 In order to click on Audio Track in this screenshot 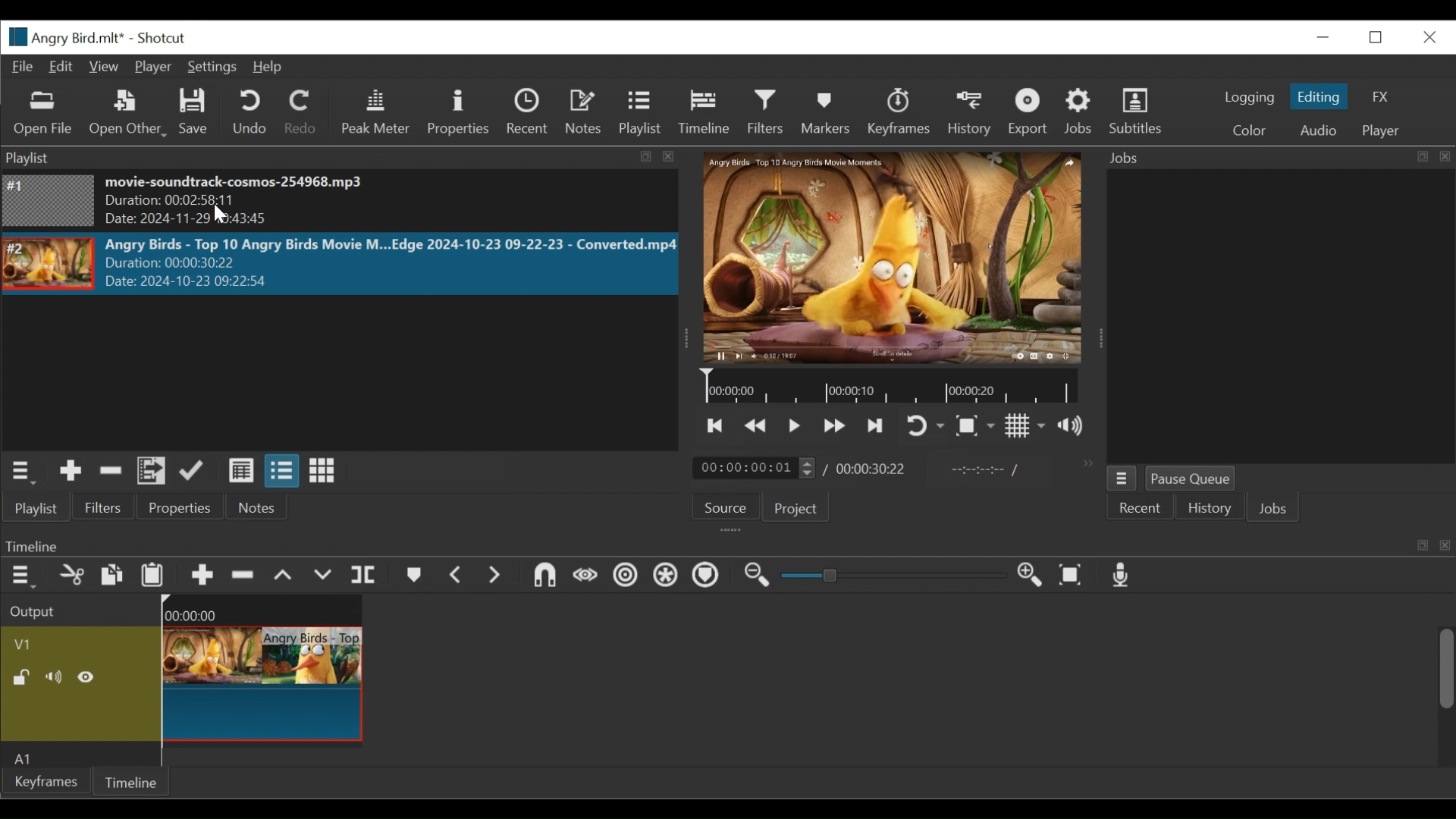, I will do `click(78, 755)`.